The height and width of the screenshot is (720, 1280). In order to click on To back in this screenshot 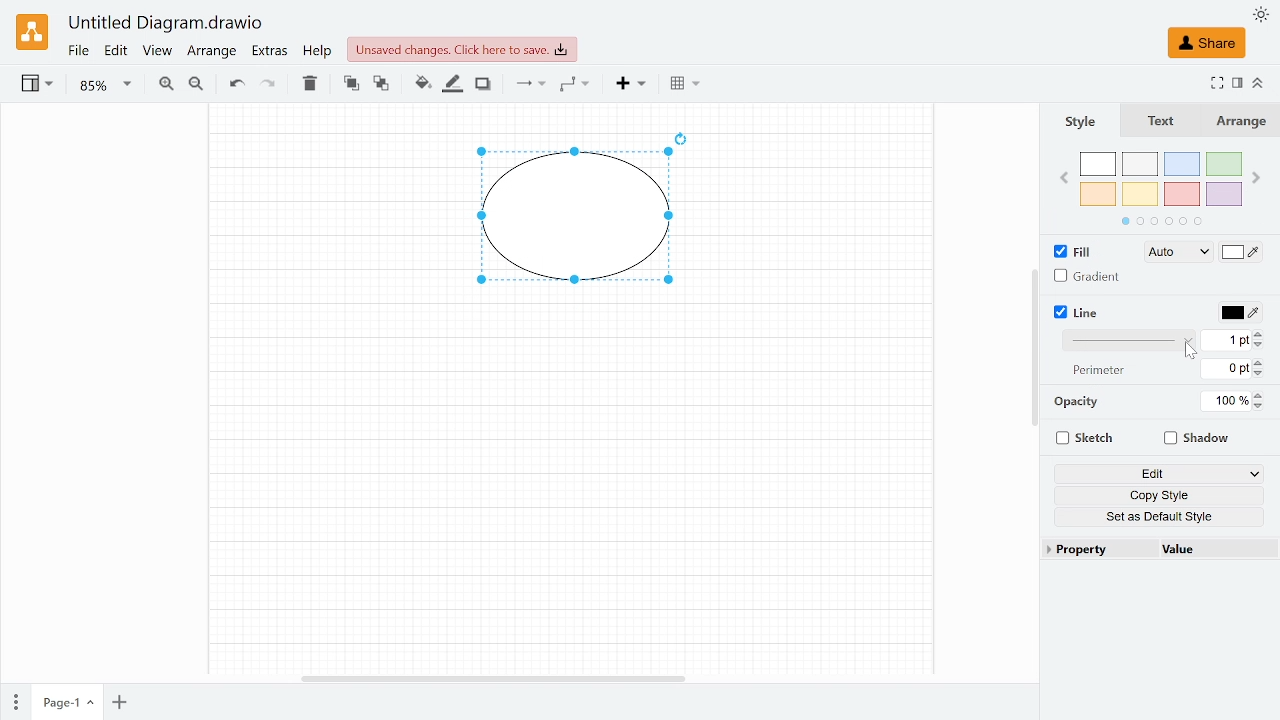, I will do `click(379, 85)`.